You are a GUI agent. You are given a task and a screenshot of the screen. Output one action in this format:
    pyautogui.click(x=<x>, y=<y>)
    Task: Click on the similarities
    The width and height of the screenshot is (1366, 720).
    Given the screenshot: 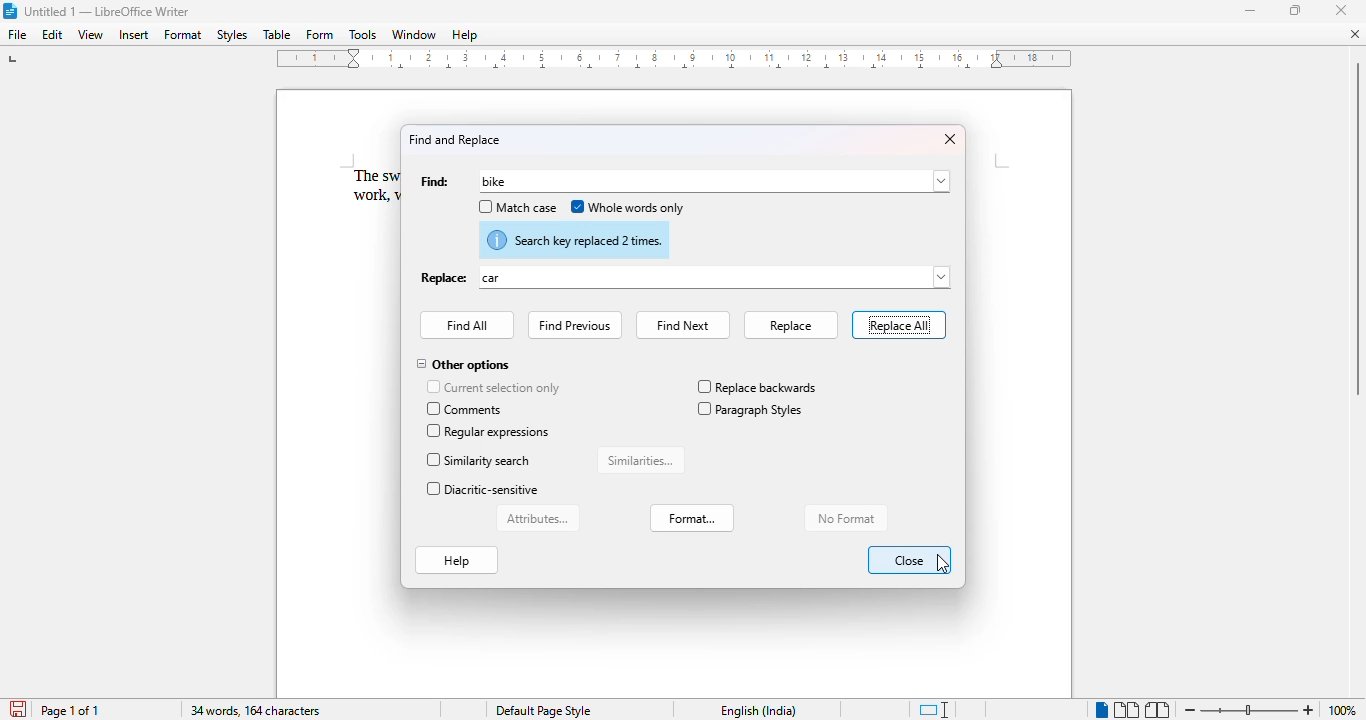 What is the action you would take?
    pyautogui.click(x=641, y=460)
    